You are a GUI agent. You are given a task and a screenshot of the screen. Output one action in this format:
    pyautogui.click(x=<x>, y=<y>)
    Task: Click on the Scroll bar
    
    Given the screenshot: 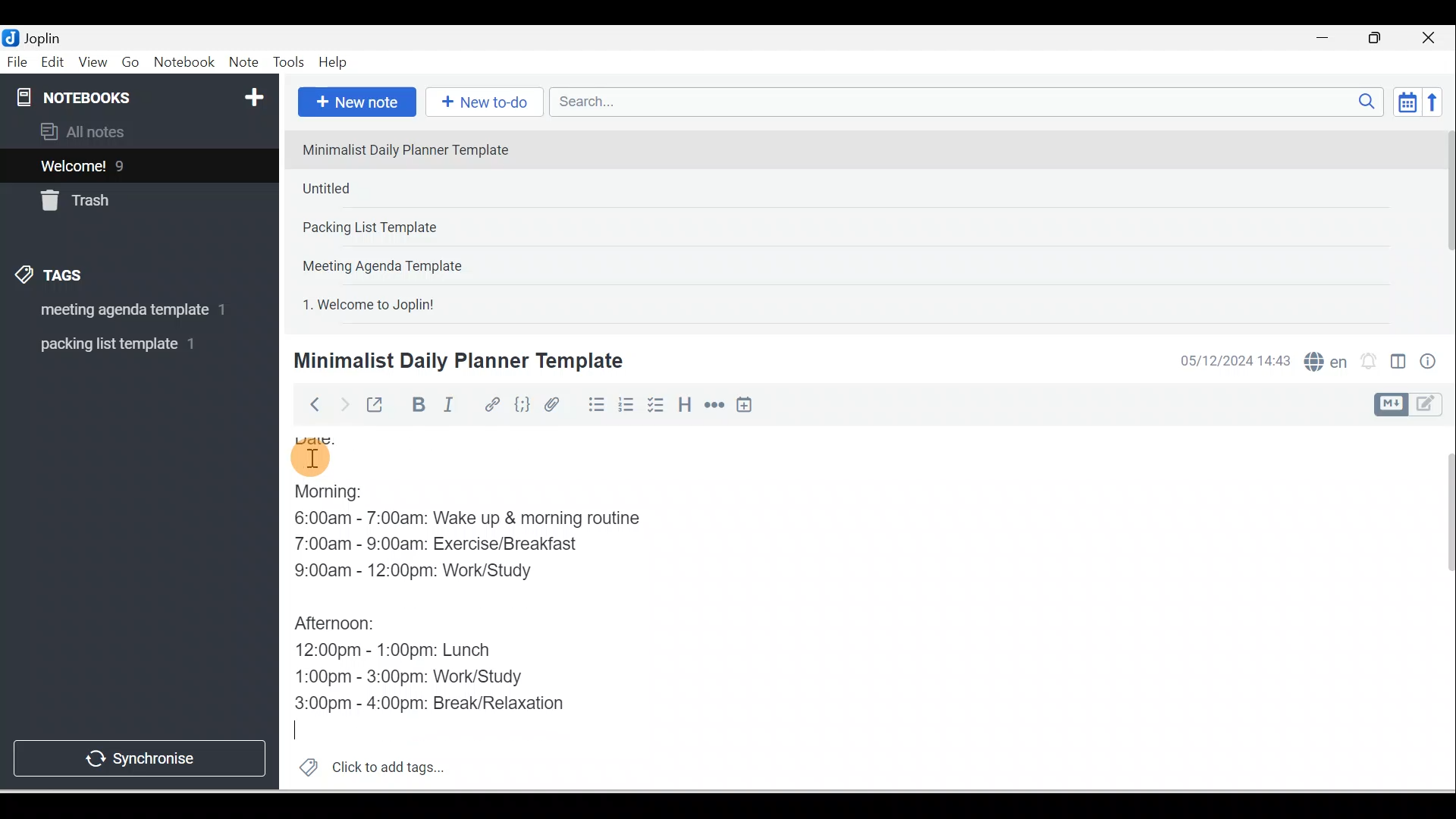 What is the action you would take?
    pyautogui.click(x=1444, y=224)
    